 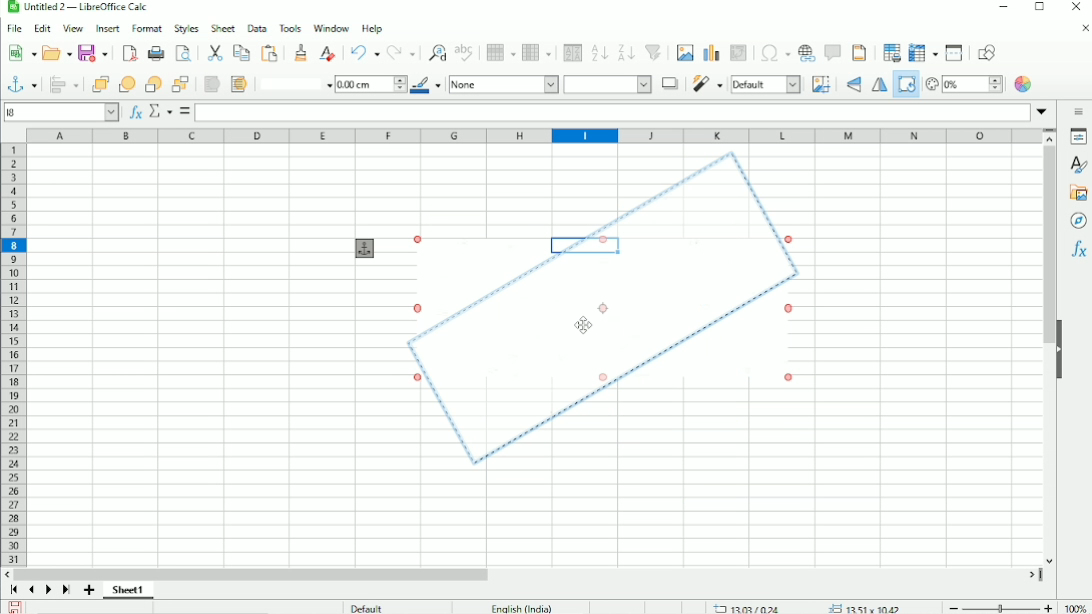 I want to click on Properties, so click(x=1076, y=137).